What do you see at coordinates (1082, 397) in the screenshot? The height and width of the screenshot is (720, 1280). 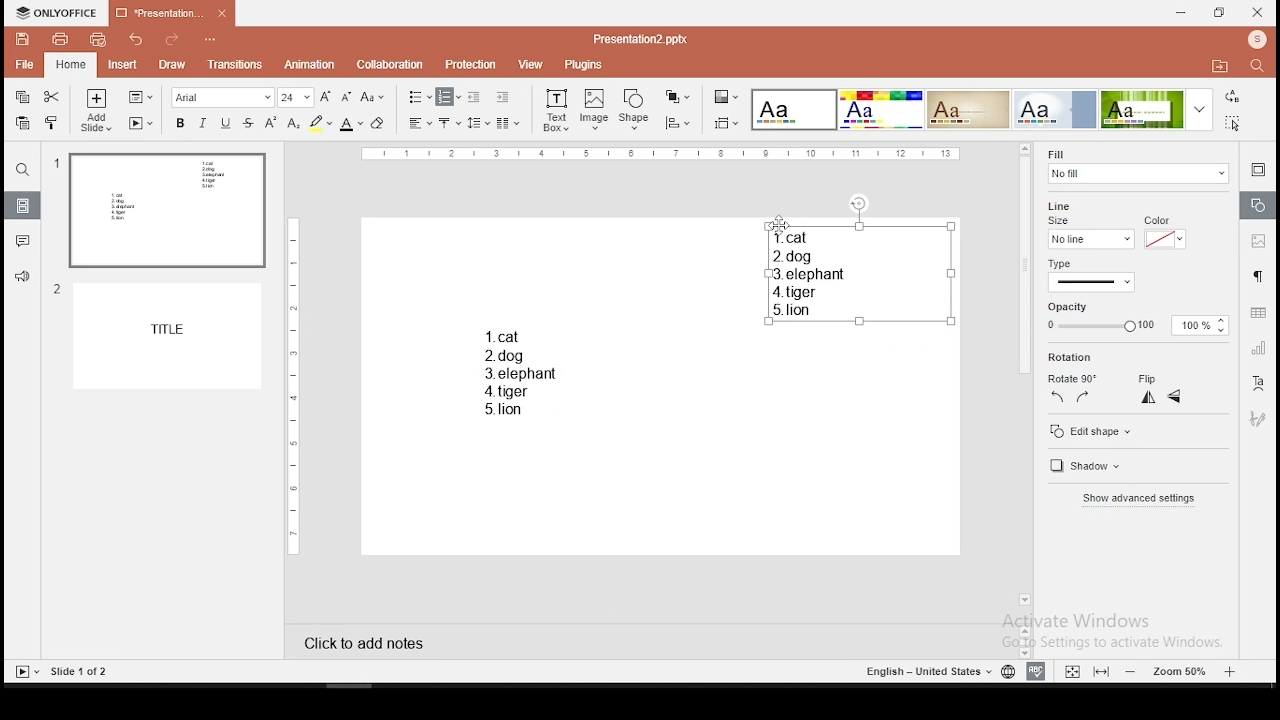 I see `rotate 90 clockwise` at bounding box center [1082, 397].